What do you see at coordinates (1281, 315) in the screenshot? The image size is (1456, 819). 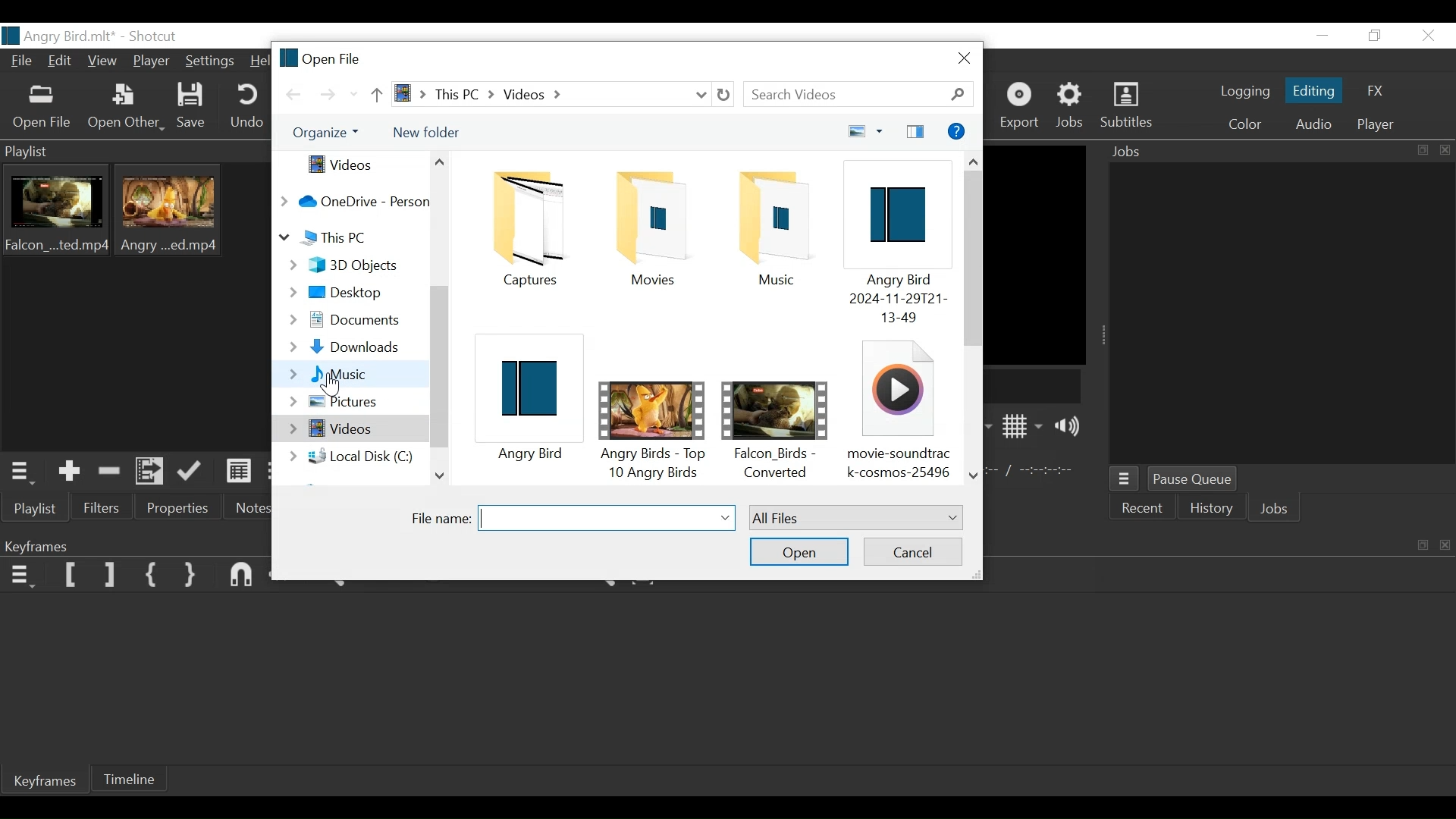 I see `Jobs Panel` at bounding box center [1281, 315].